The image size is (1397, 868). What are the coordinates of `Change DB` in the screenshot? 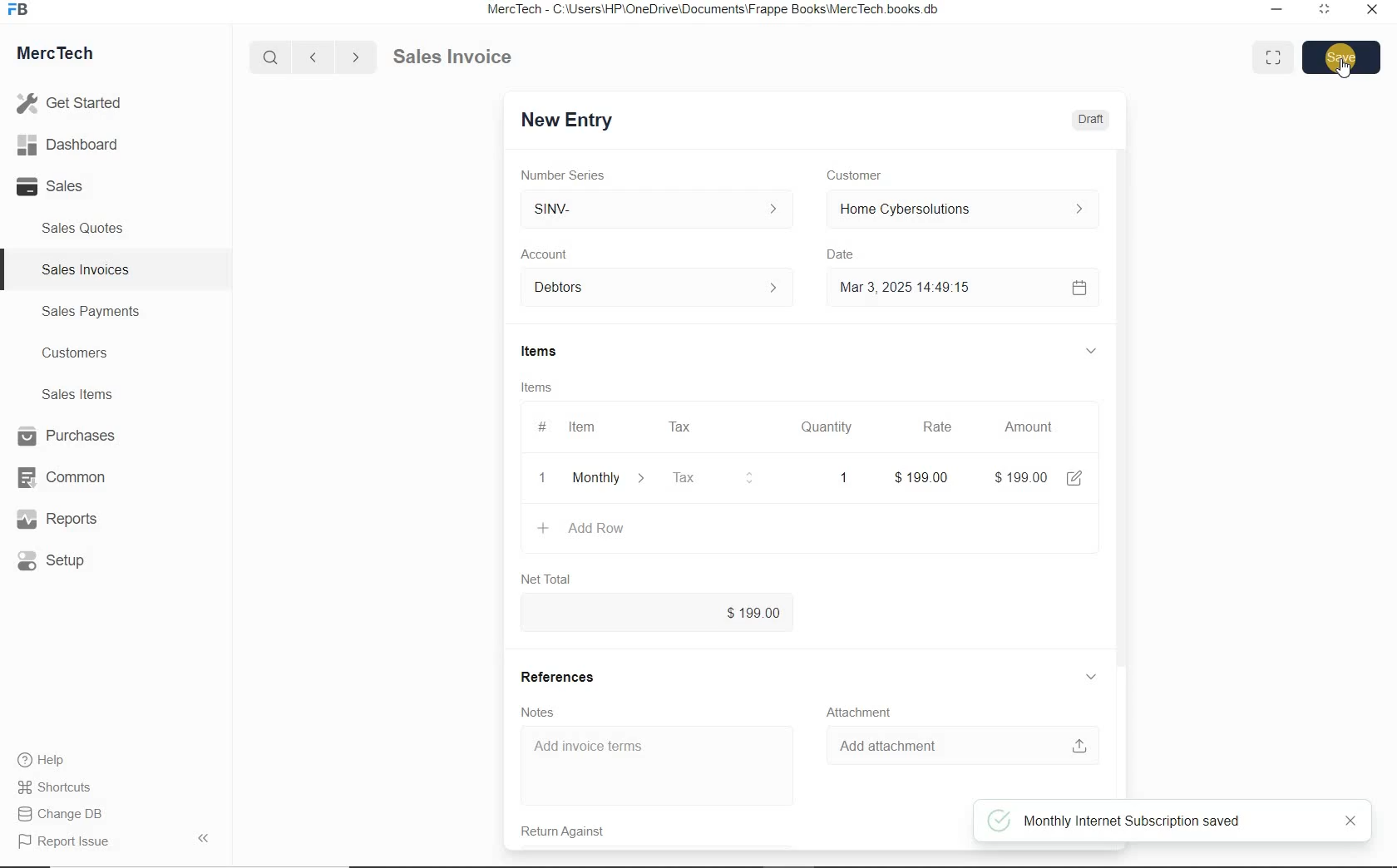 It's located at (62, 814).